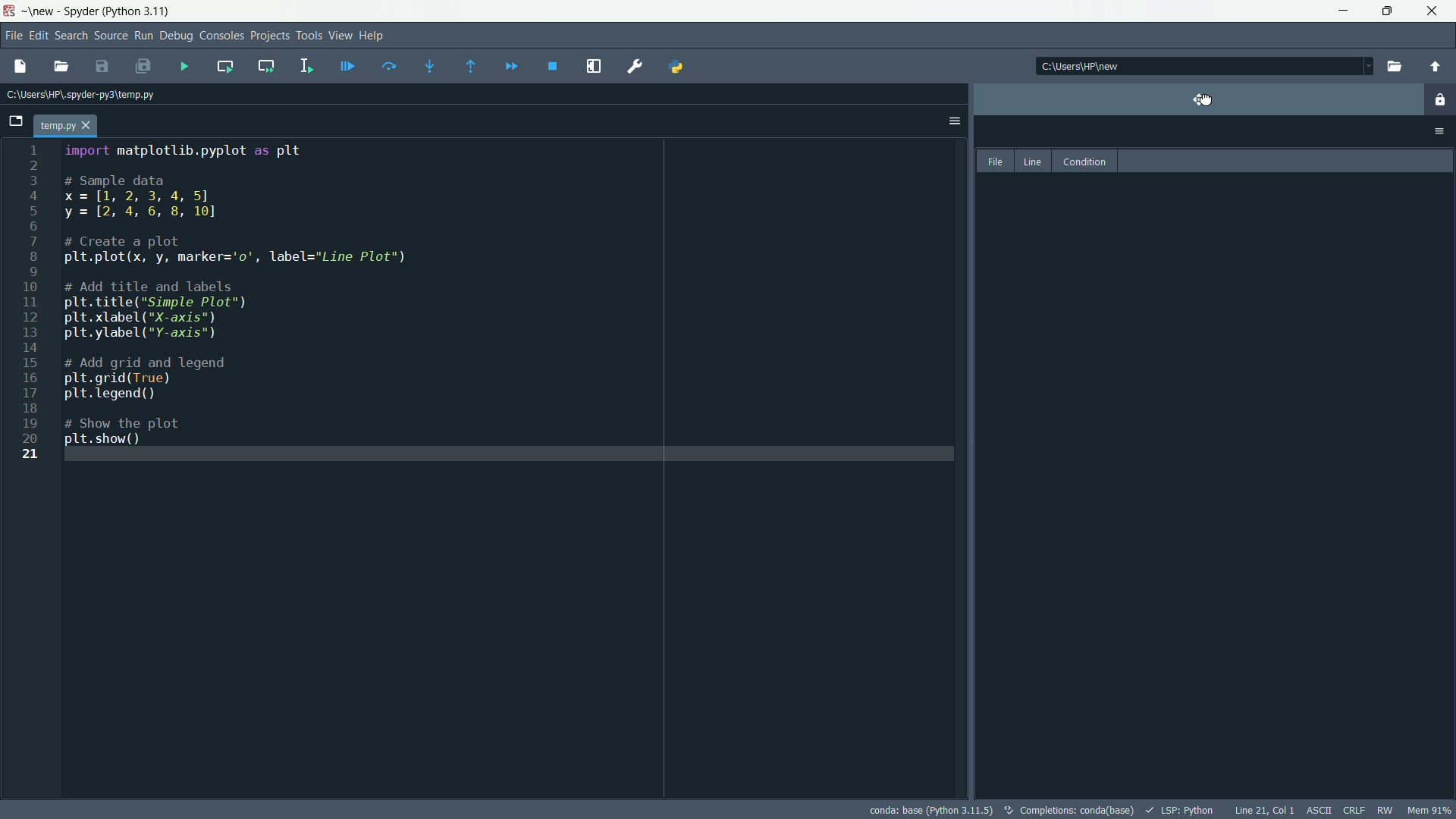 The height and width of the screenshot is (819, 1456). I want to click on python 3.11, so click(140, 10).